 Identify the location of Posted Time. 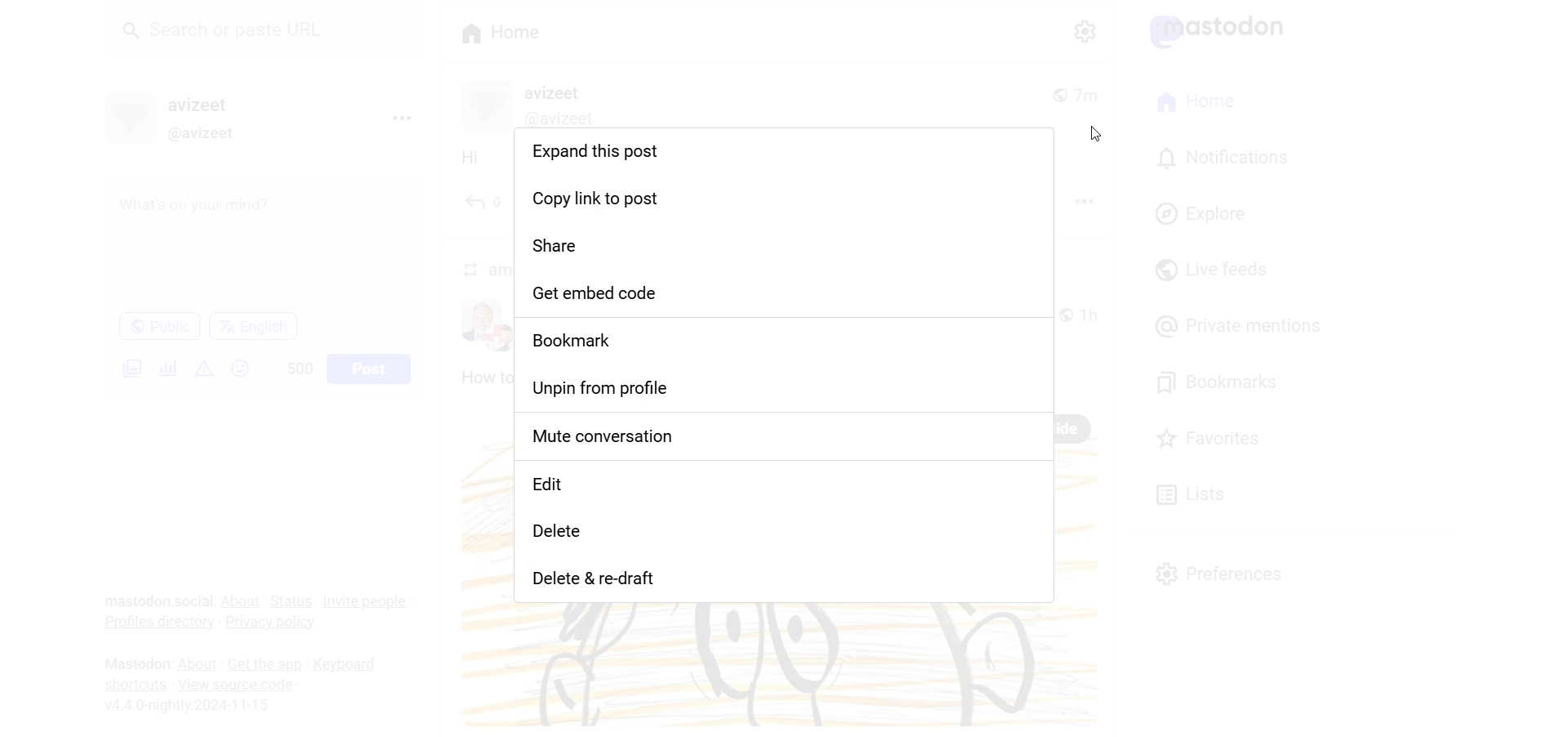
(1082, 92).